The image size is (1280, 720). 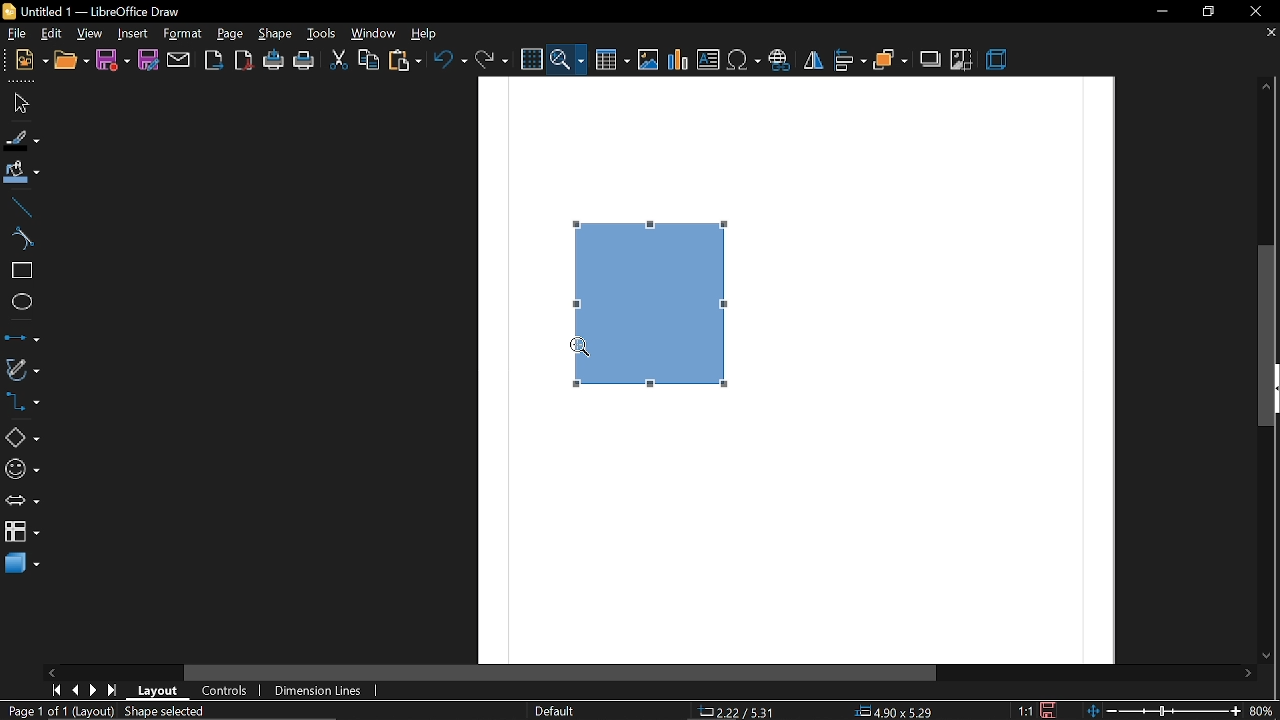 What do you see at coordinates (1208, 12) in the screenshot?
I see `restore down` at bounding box center [1208, 12].